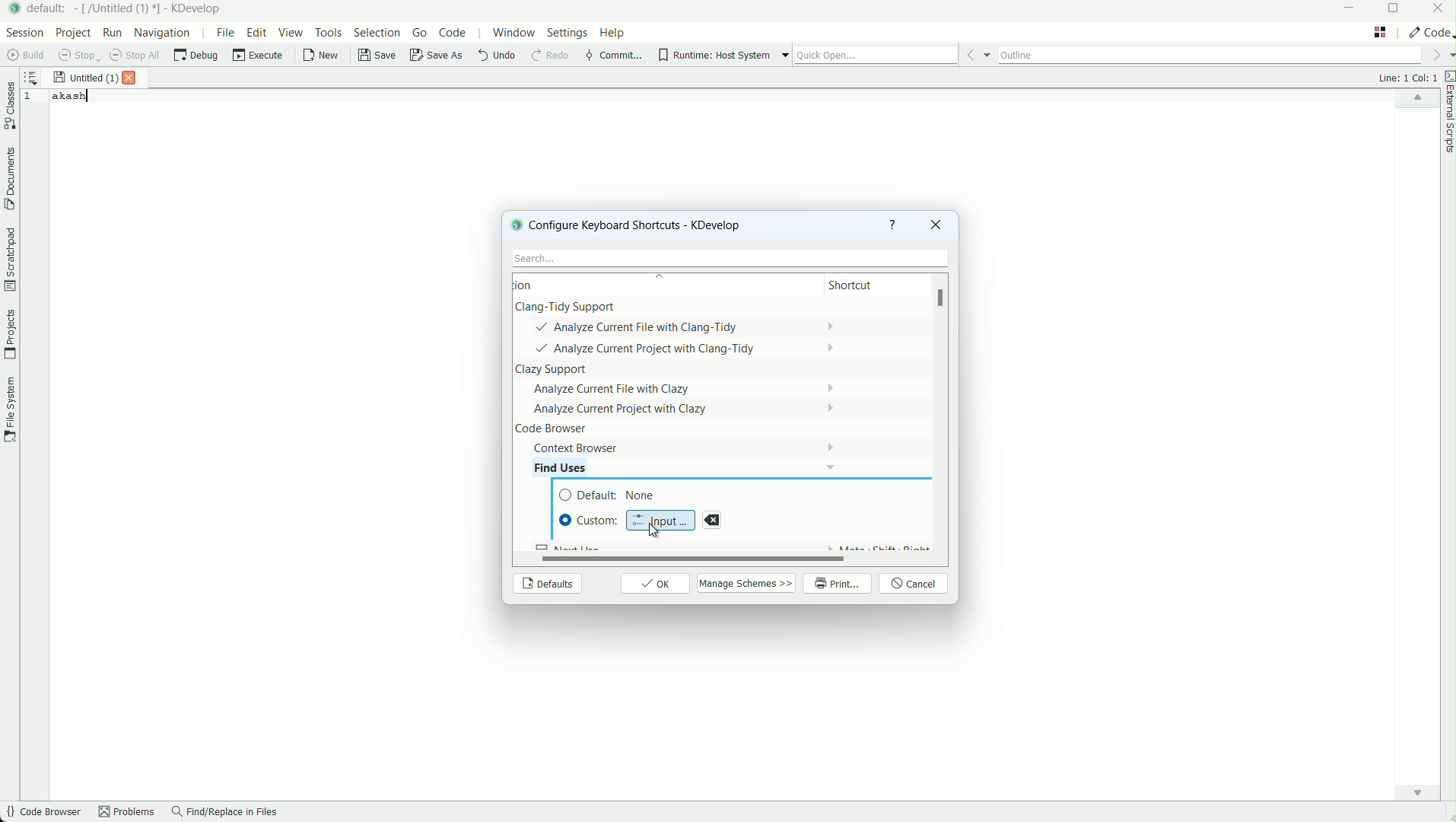 This screenshot has height=822, width=1456. I want to click on edit menu, so click(257, 32).